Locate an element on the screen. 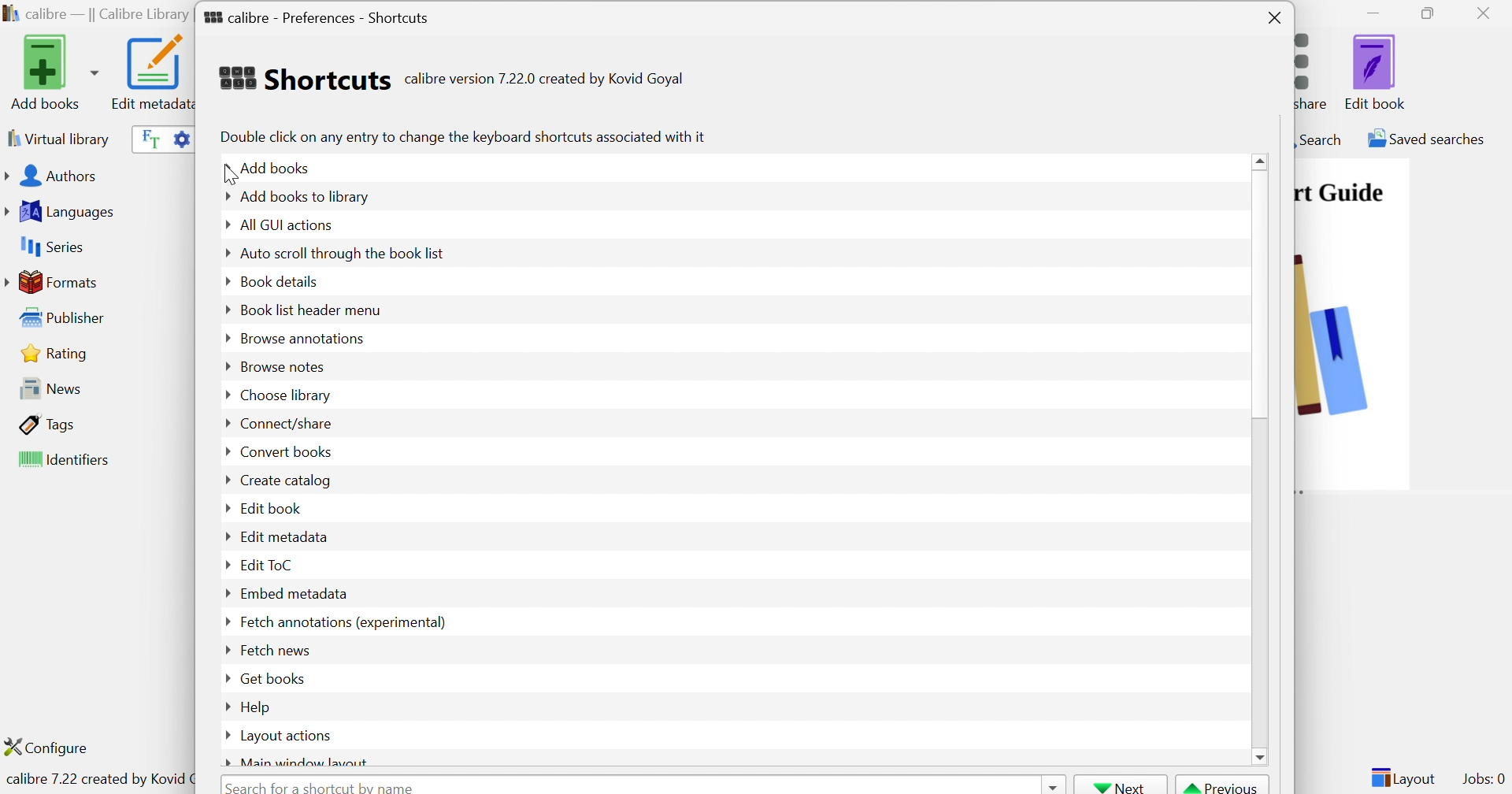 The width and height of the screenshot is (1512, 794). Formats is located at coordinates (54, 282).